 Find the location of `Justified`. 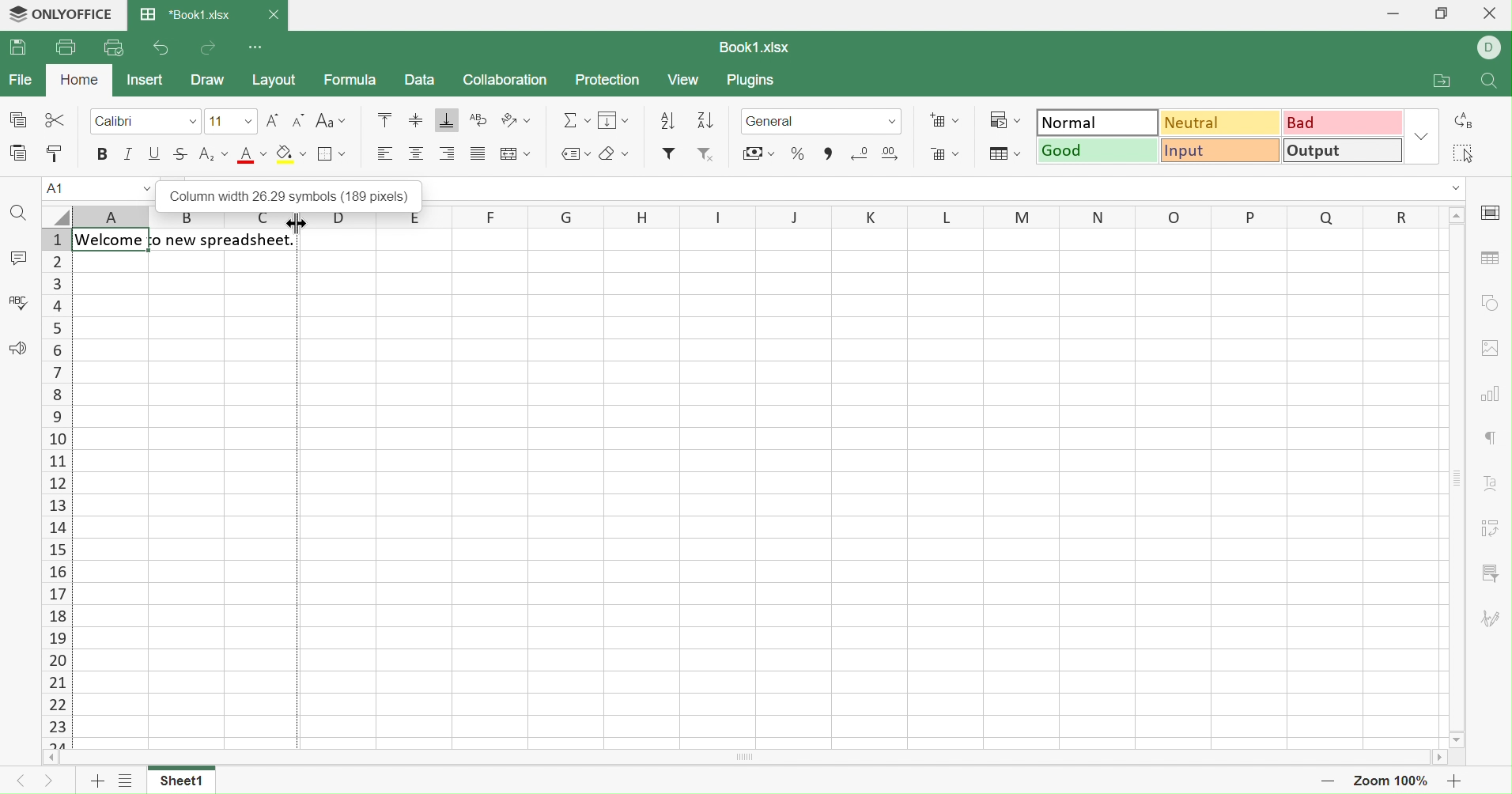

Justified is located at coordinates (478, 155).